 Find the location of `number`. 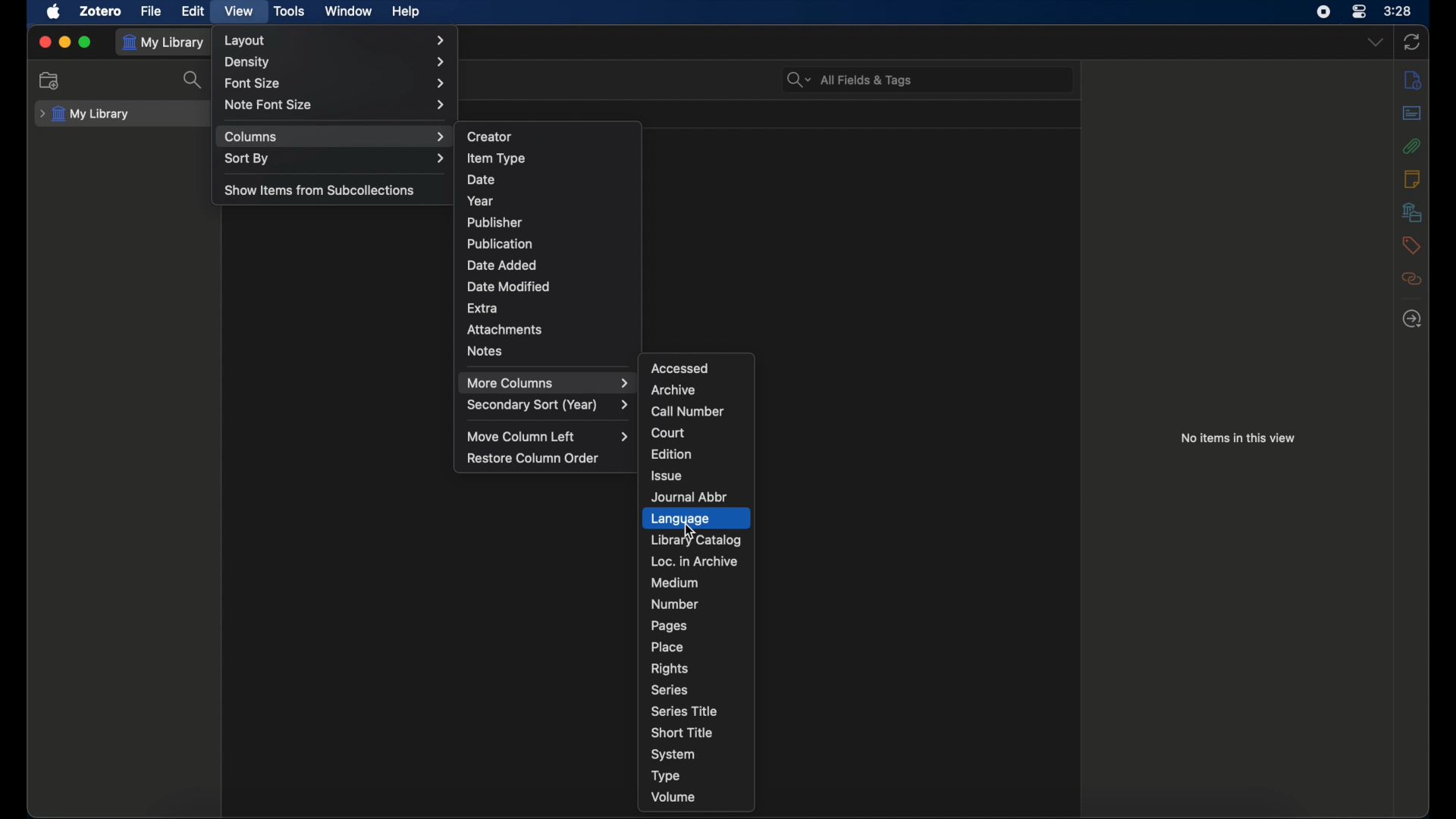

number is located at coordinates (675, 604).